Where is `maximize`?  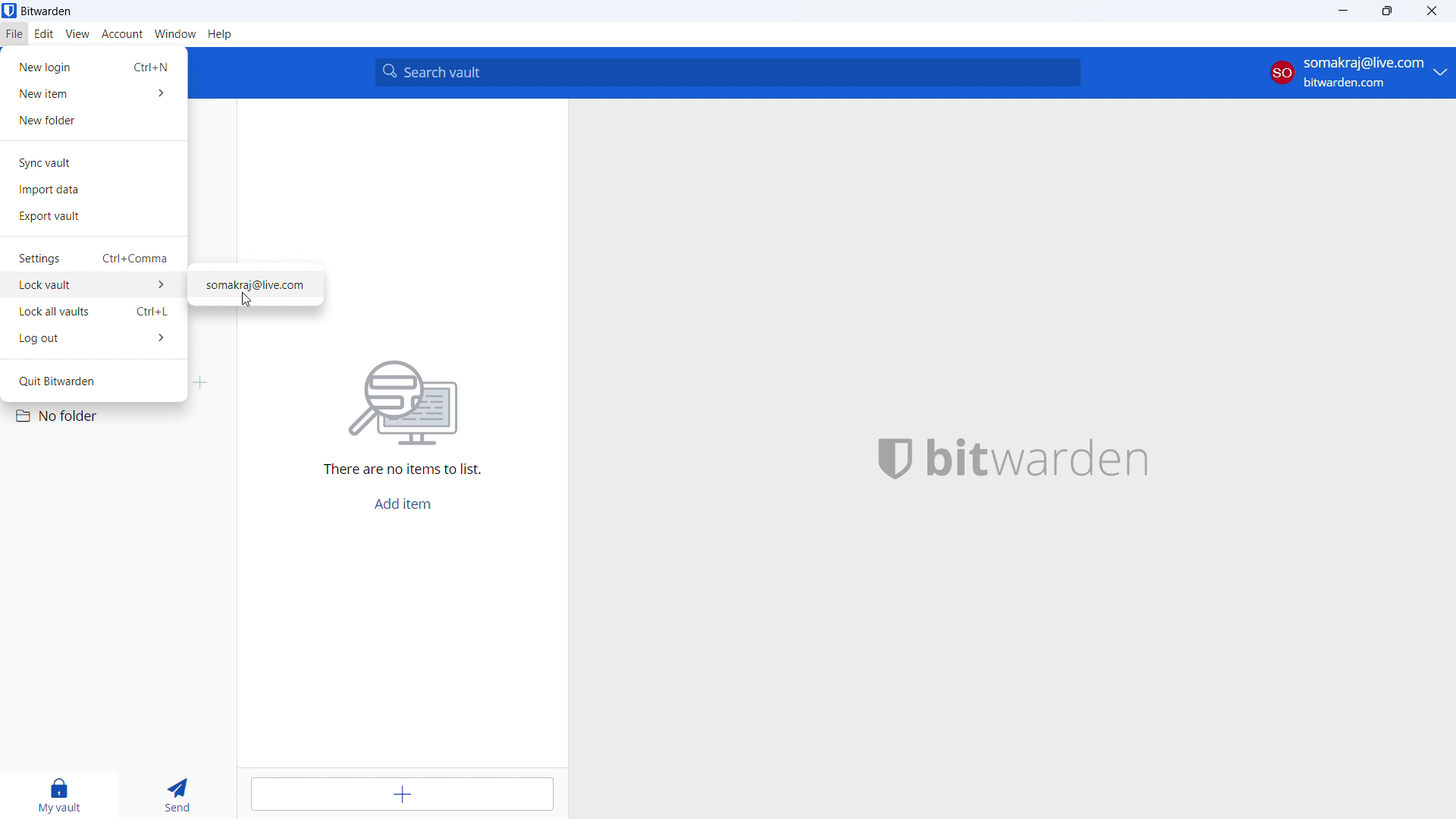
maximize is located at coordinates (1389, 11).